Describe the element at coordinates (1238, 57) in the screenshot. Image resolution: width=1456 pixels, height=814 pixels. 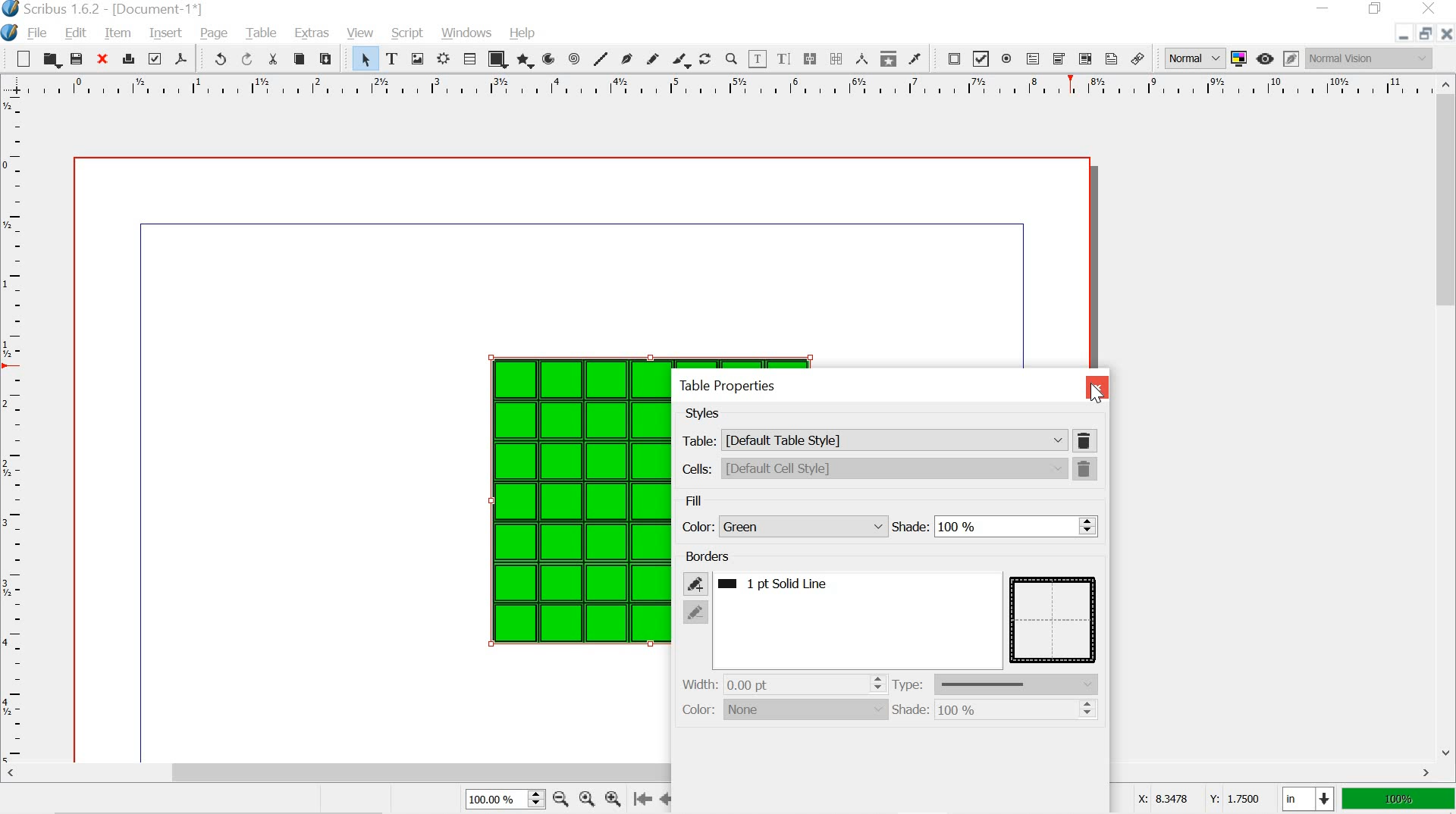
I see `toggle color management system` at that location.